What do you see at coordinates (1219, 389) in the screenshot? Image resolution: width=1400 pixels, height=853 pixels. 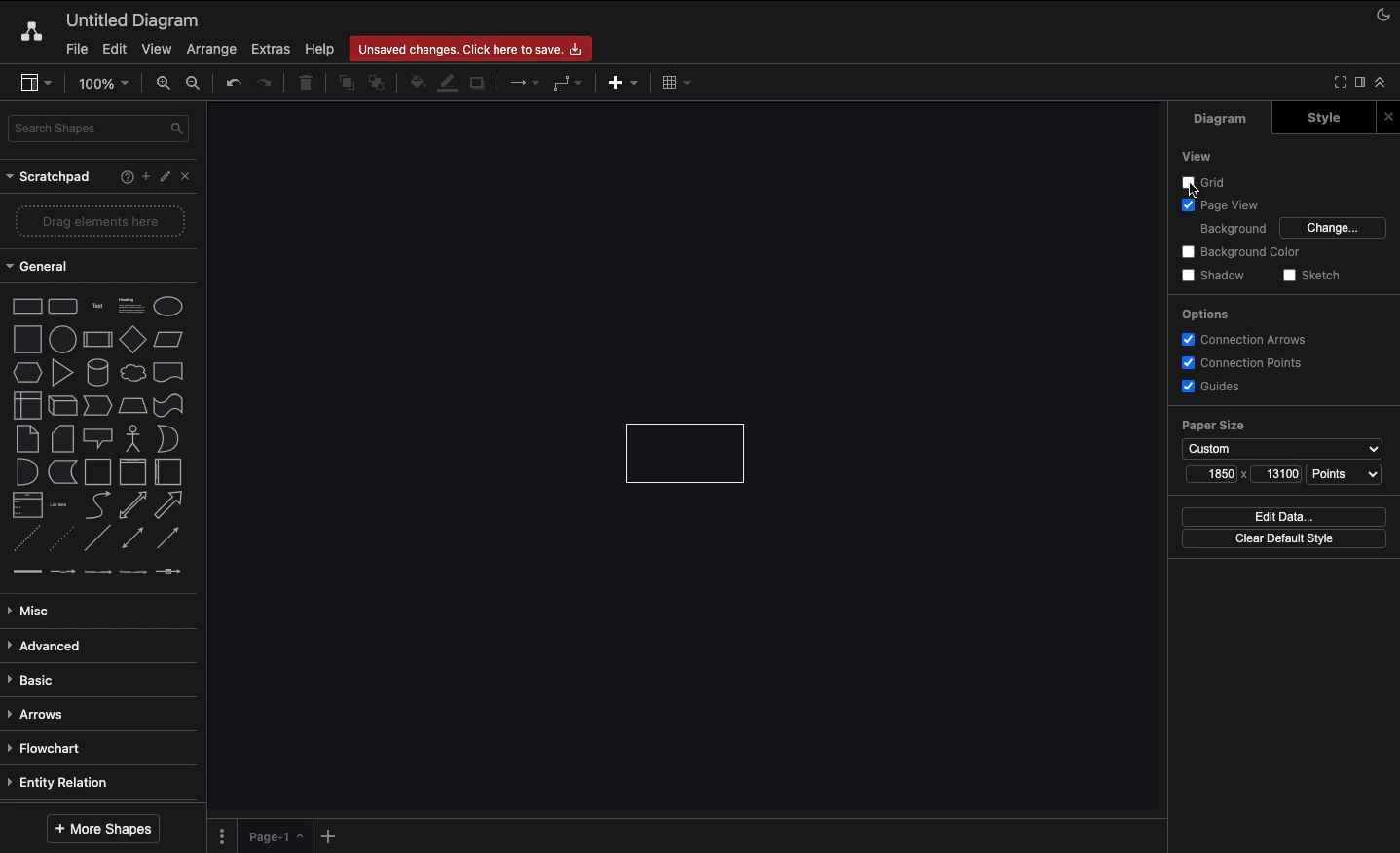 I see `Guides` at bounding box center [1219, 389].